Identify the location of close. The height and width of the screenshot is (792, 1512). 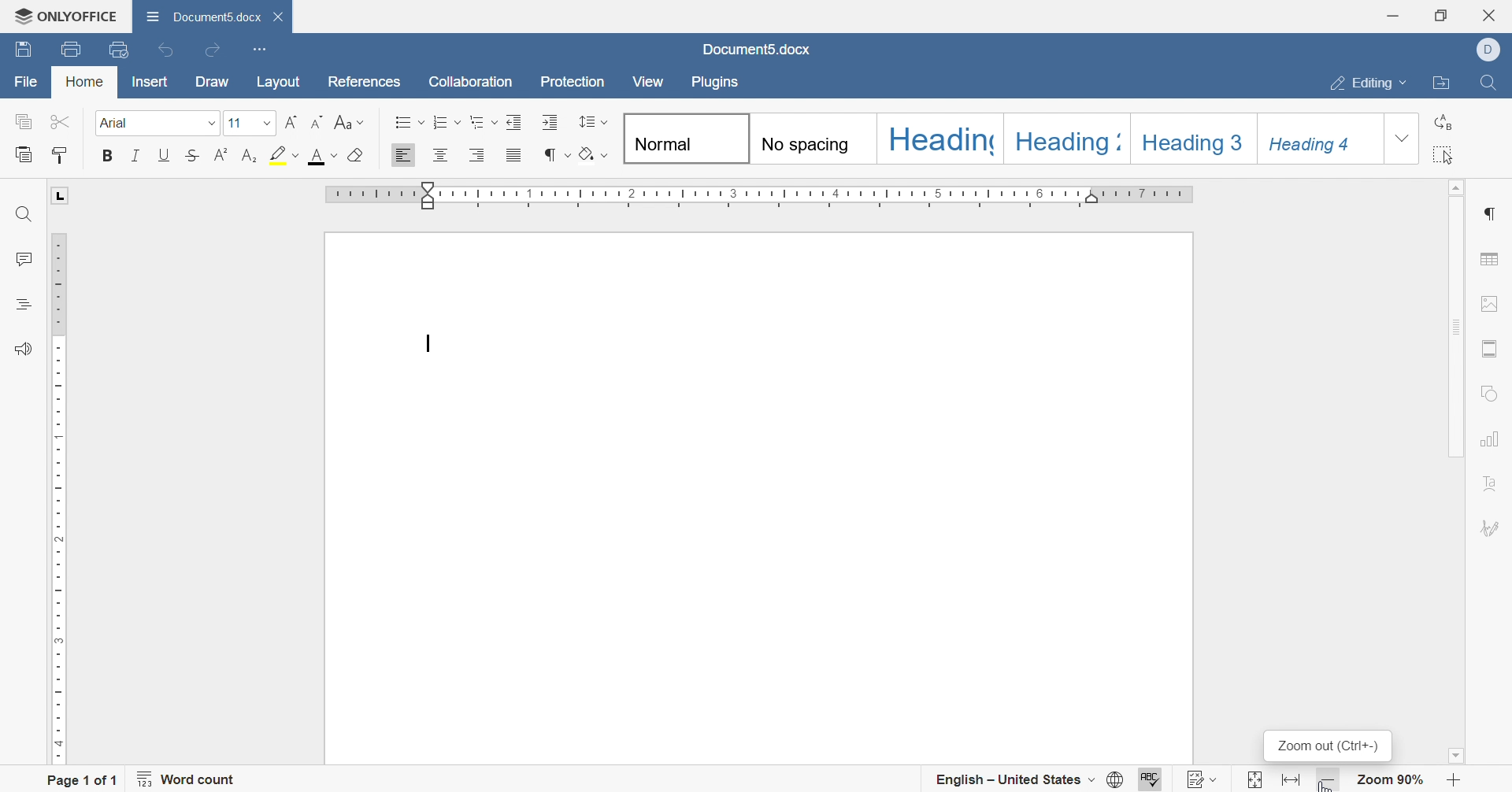
(1493, 13).